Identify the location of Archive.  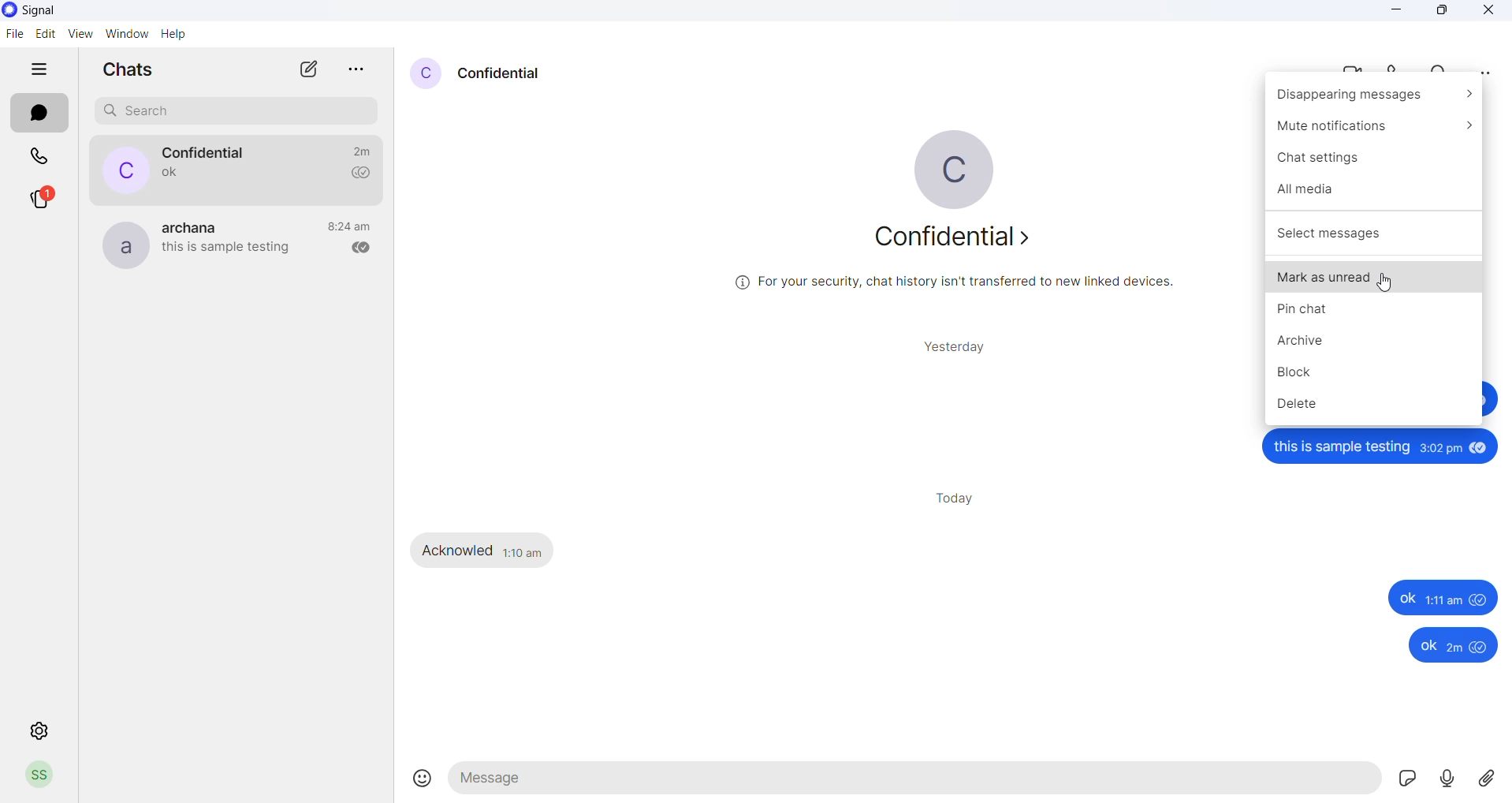
(1375, 345).